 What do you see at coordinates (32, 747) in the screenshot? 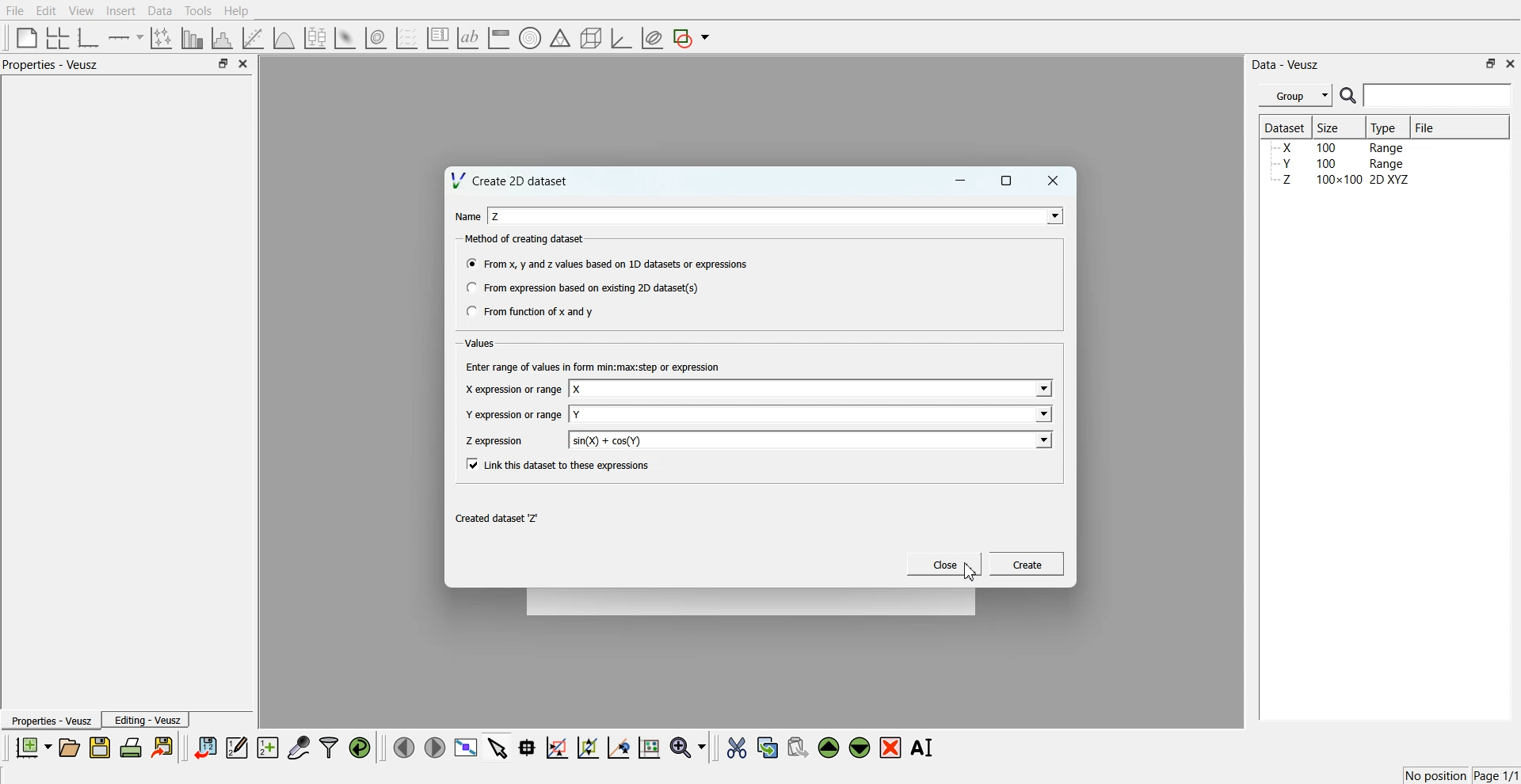
I see `New document` at bounding box center [32, 747].